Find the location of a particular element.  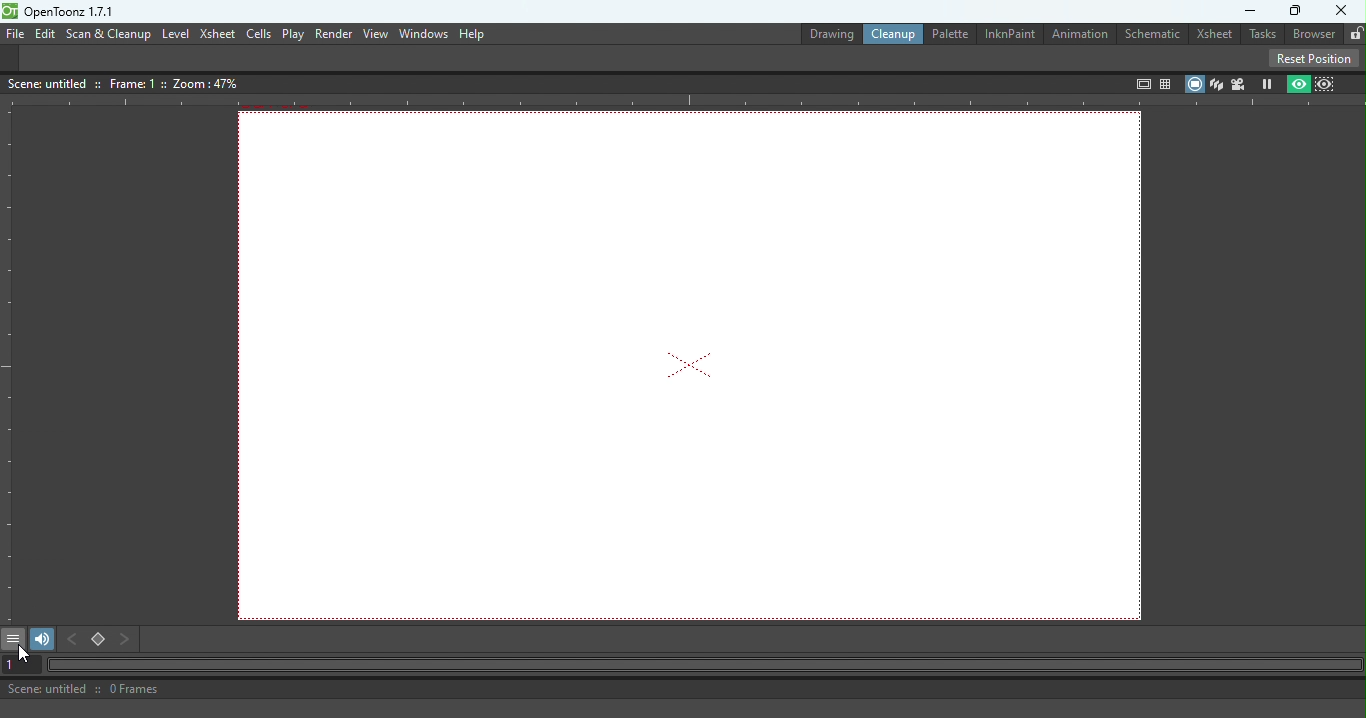

cells is located at coordinates (258, 34).